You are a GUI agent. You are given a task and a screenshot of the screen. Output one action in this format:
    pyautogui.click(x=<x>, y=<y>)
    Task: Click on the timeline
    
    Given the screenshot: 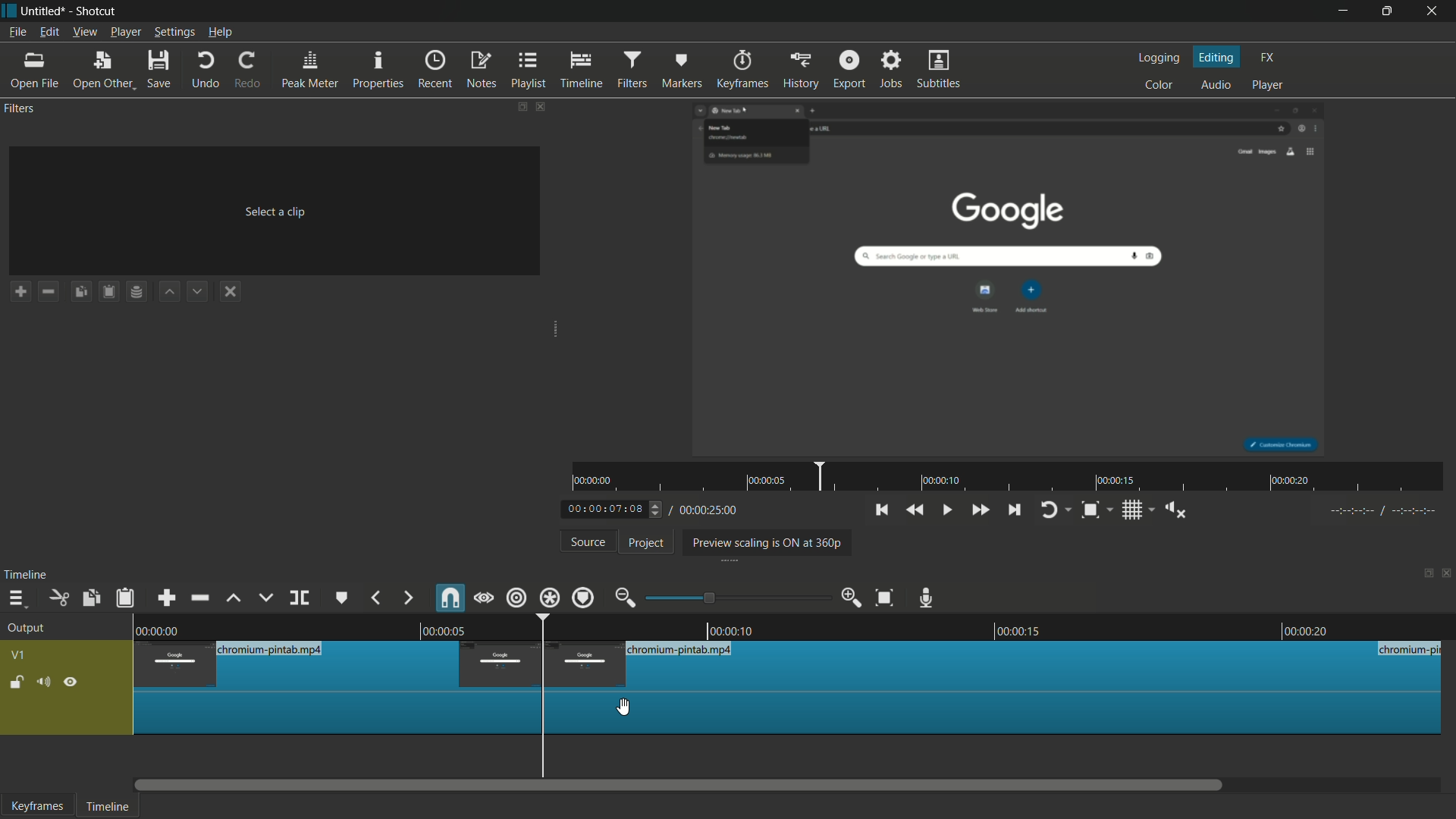 What is the action you would take?
    pyautogui.click(x=582, y=70)
    